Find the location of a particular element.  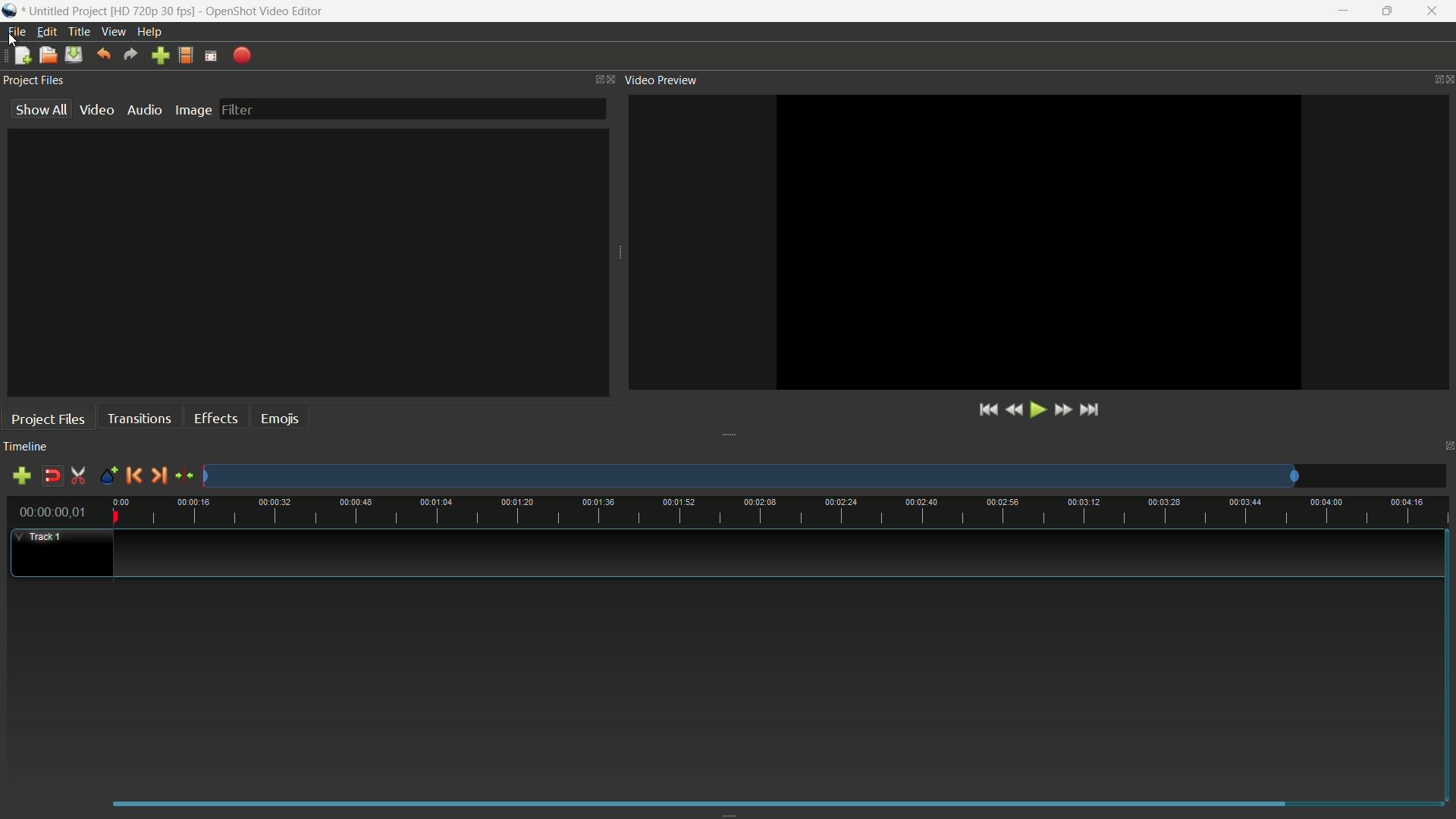

video preview is located at coordinates (661, 80).